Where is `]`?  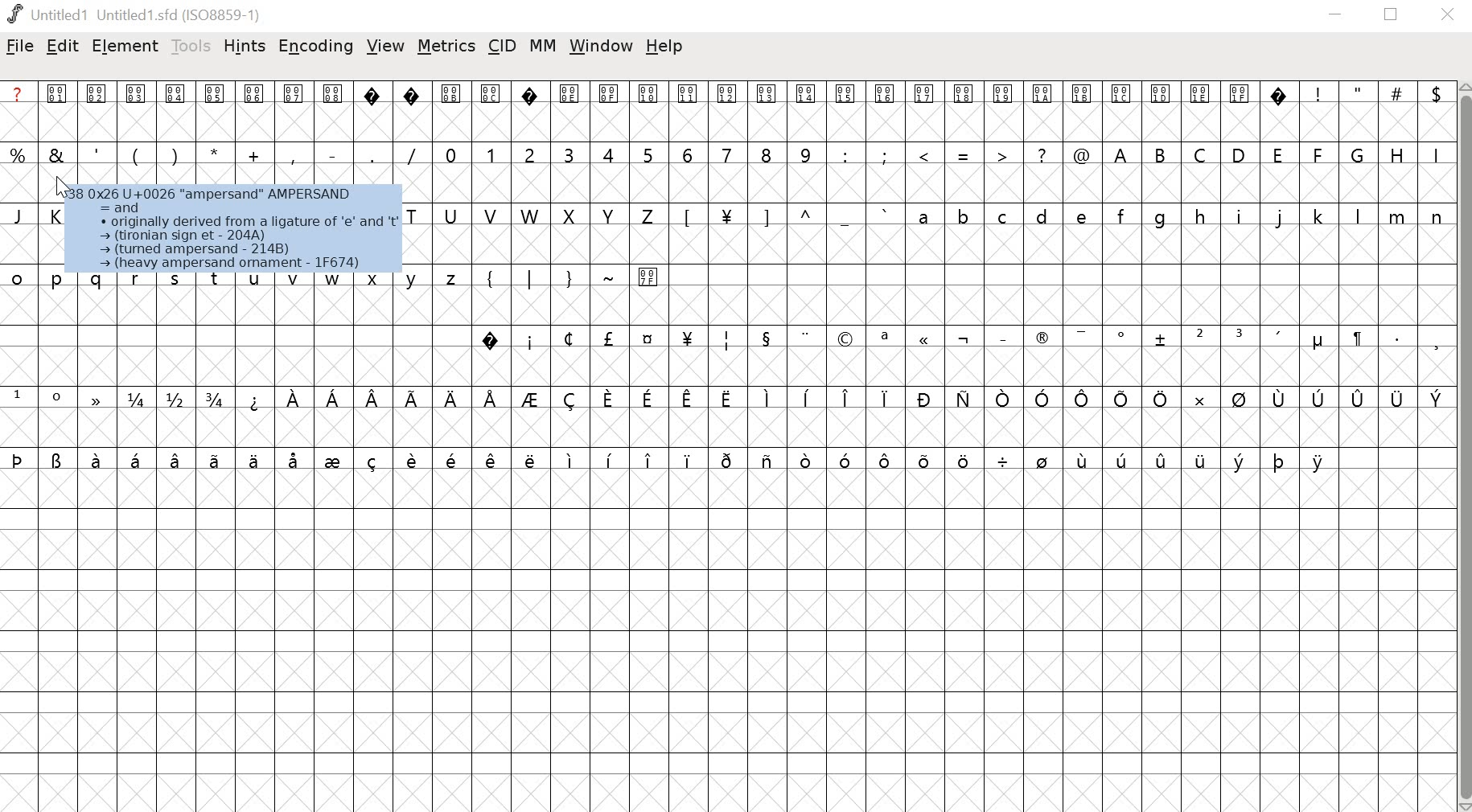 ] is located at coordinates (767, 215).